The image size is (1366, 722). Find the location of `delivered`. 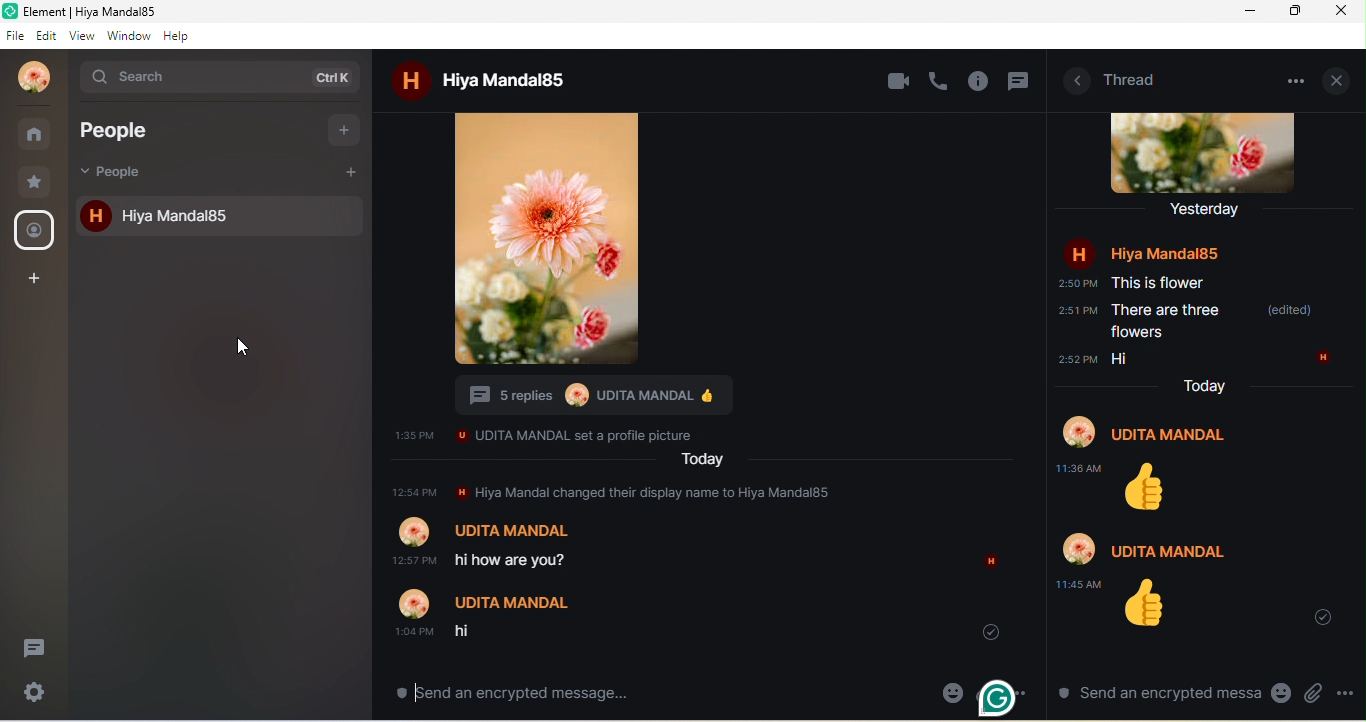

delivered is located at coordinates (983, 631).